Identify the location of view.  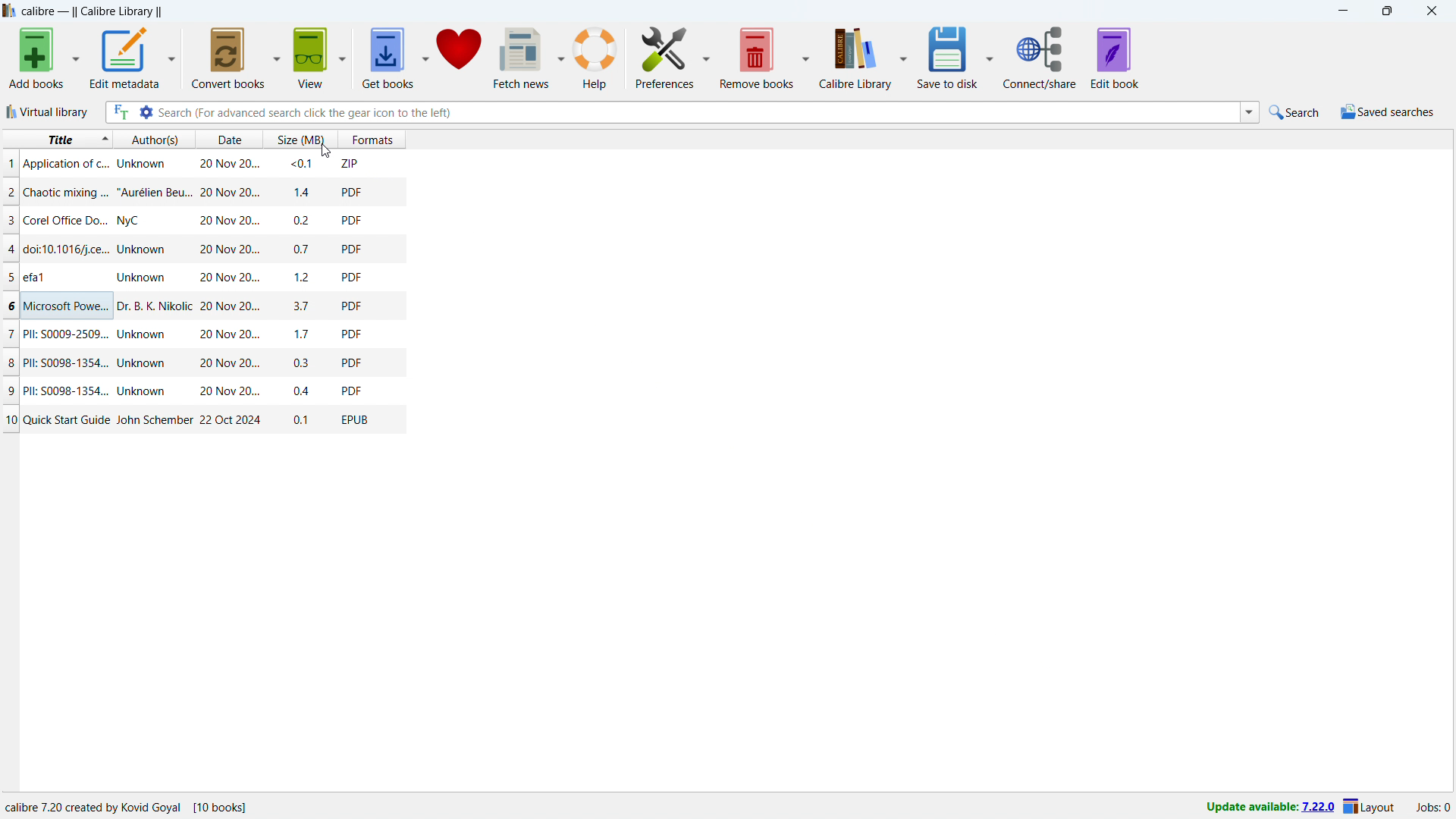
(311, 58).